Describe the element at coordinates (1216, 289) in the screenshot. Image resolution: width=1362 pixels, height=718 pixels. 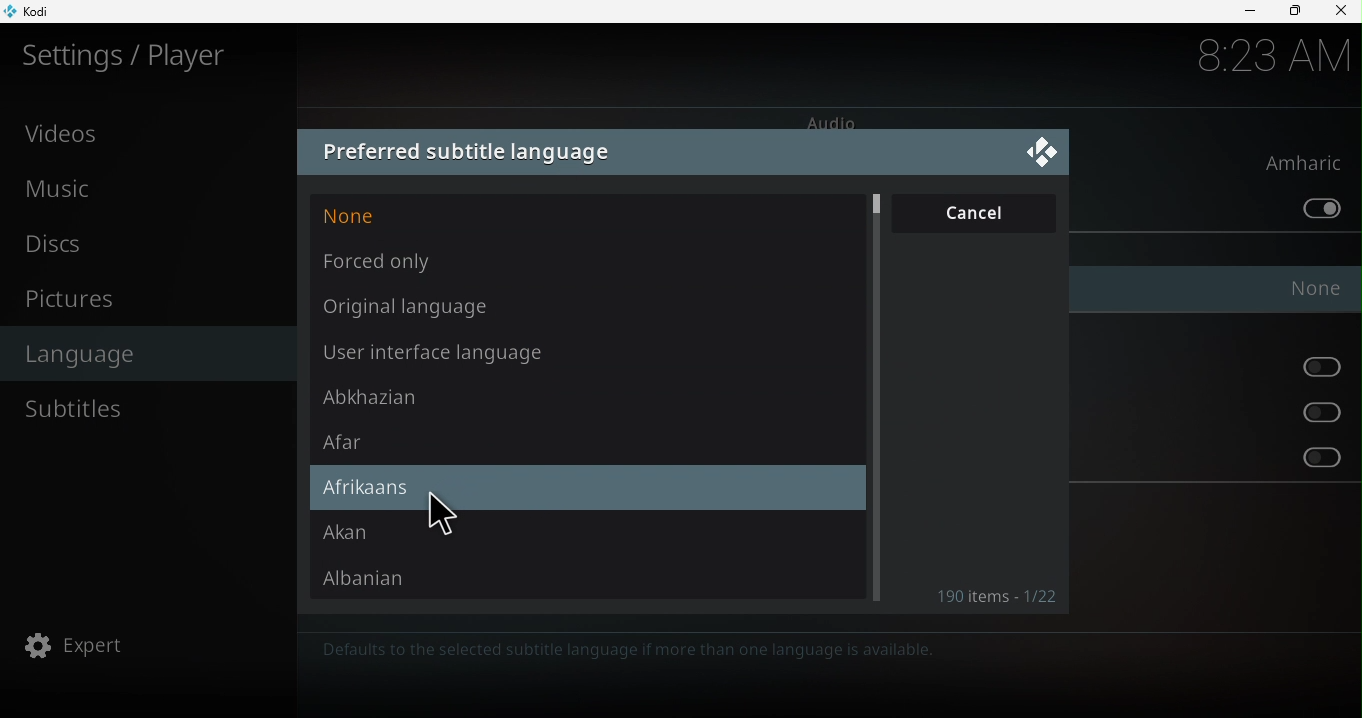
I see `Preferred subtitle language` at that location.